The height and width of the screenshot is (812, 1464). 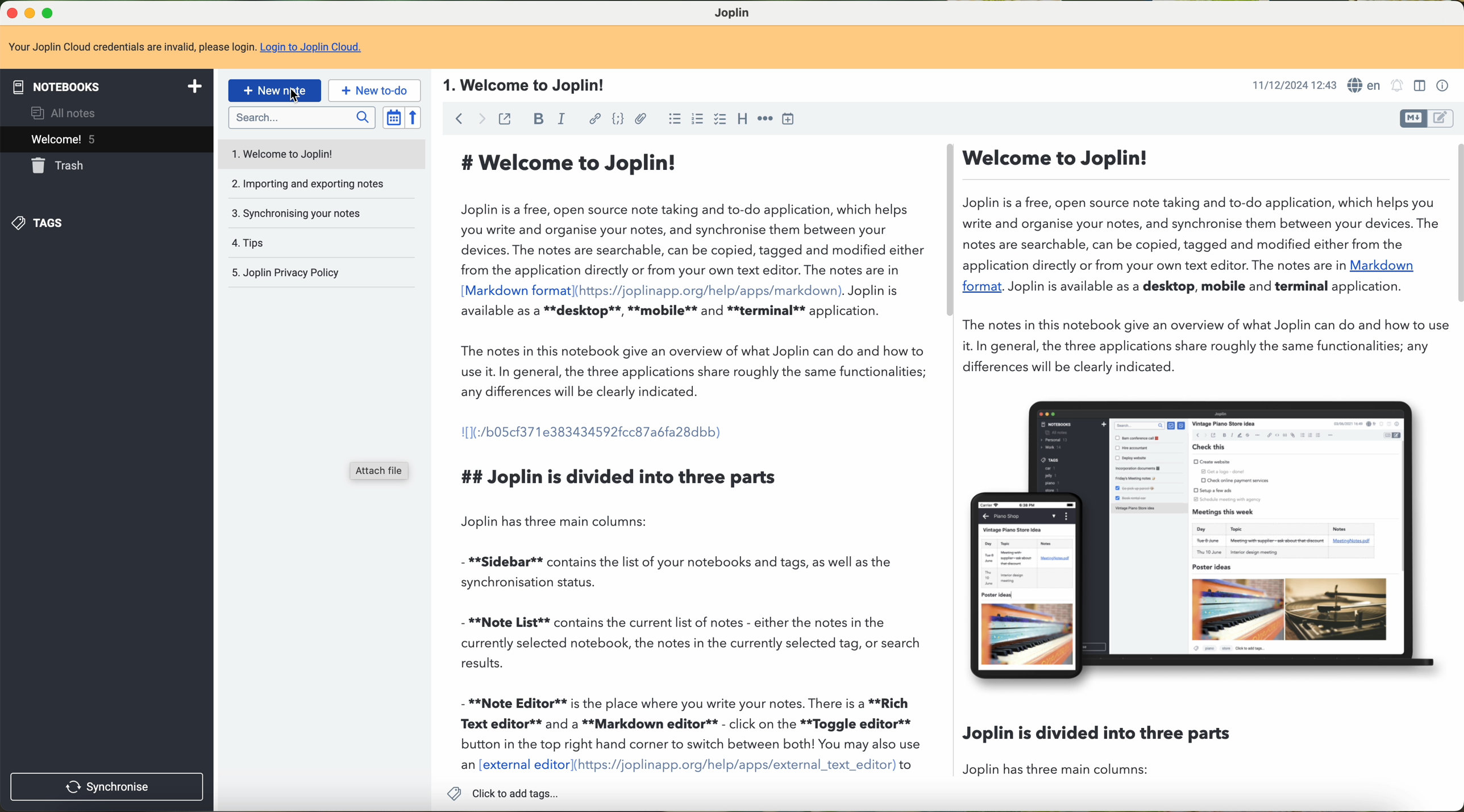 I want to click on new to-do, so click(x=374, y=90).